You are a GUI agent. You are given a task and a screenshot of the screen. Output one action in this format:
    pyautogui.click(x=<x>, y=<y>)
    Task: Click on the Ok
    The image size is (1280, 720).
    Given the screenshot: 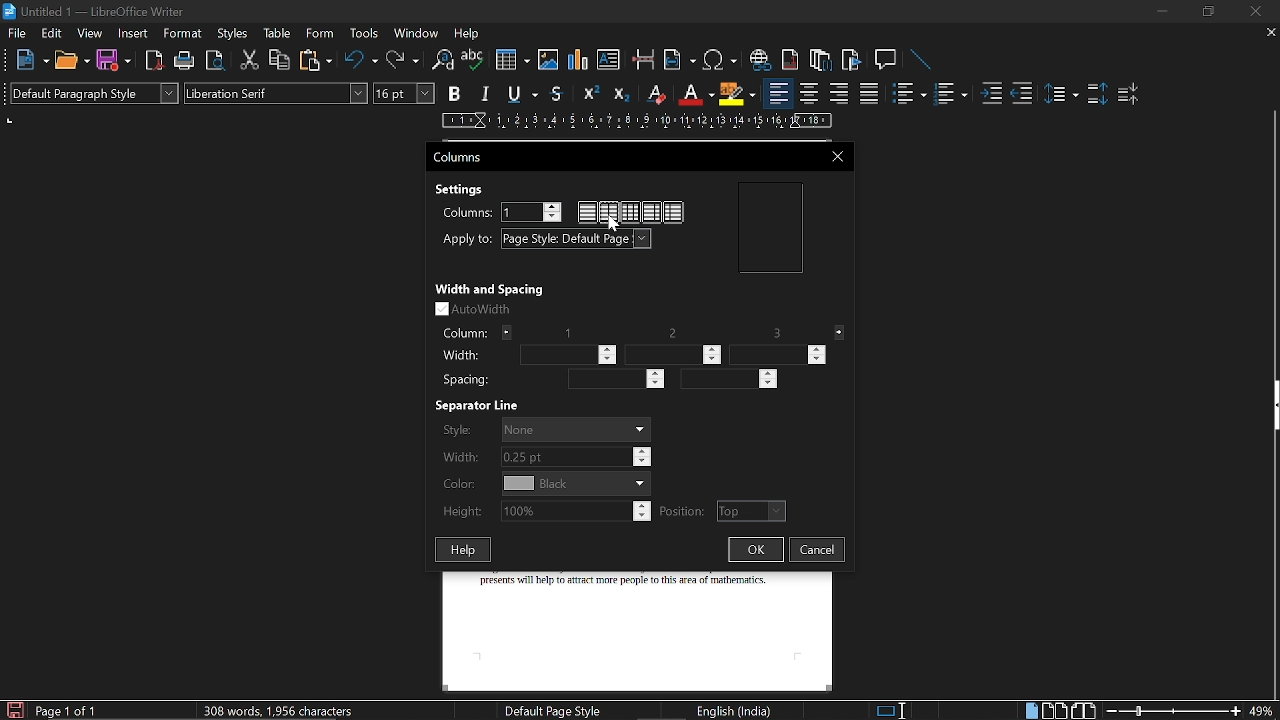 What is the action you would take?
    pyautogui.click(x=757, y=550)
    